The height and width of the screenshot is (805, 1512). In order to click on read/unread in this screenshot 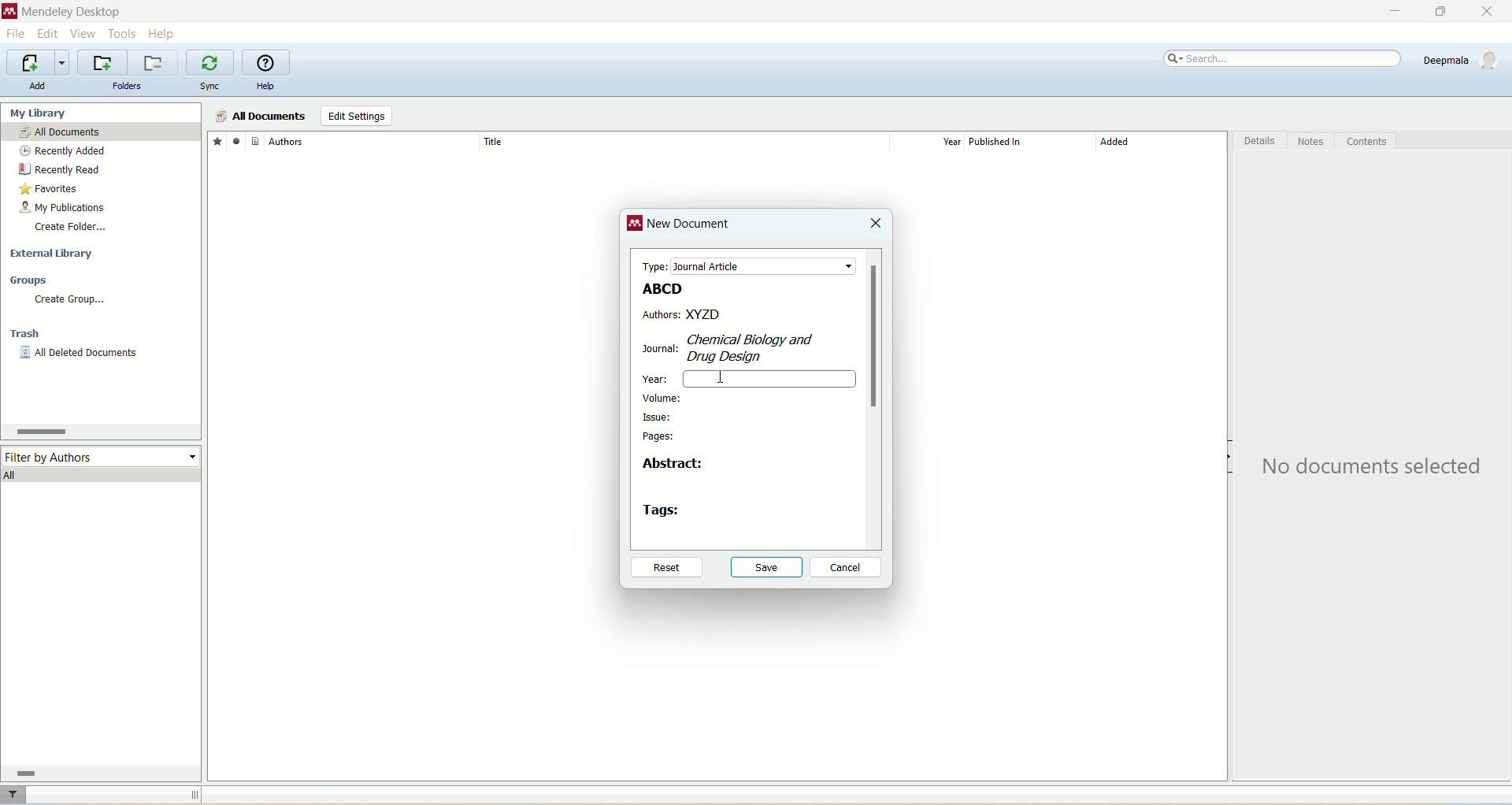, I will do `click(234, 140)`.